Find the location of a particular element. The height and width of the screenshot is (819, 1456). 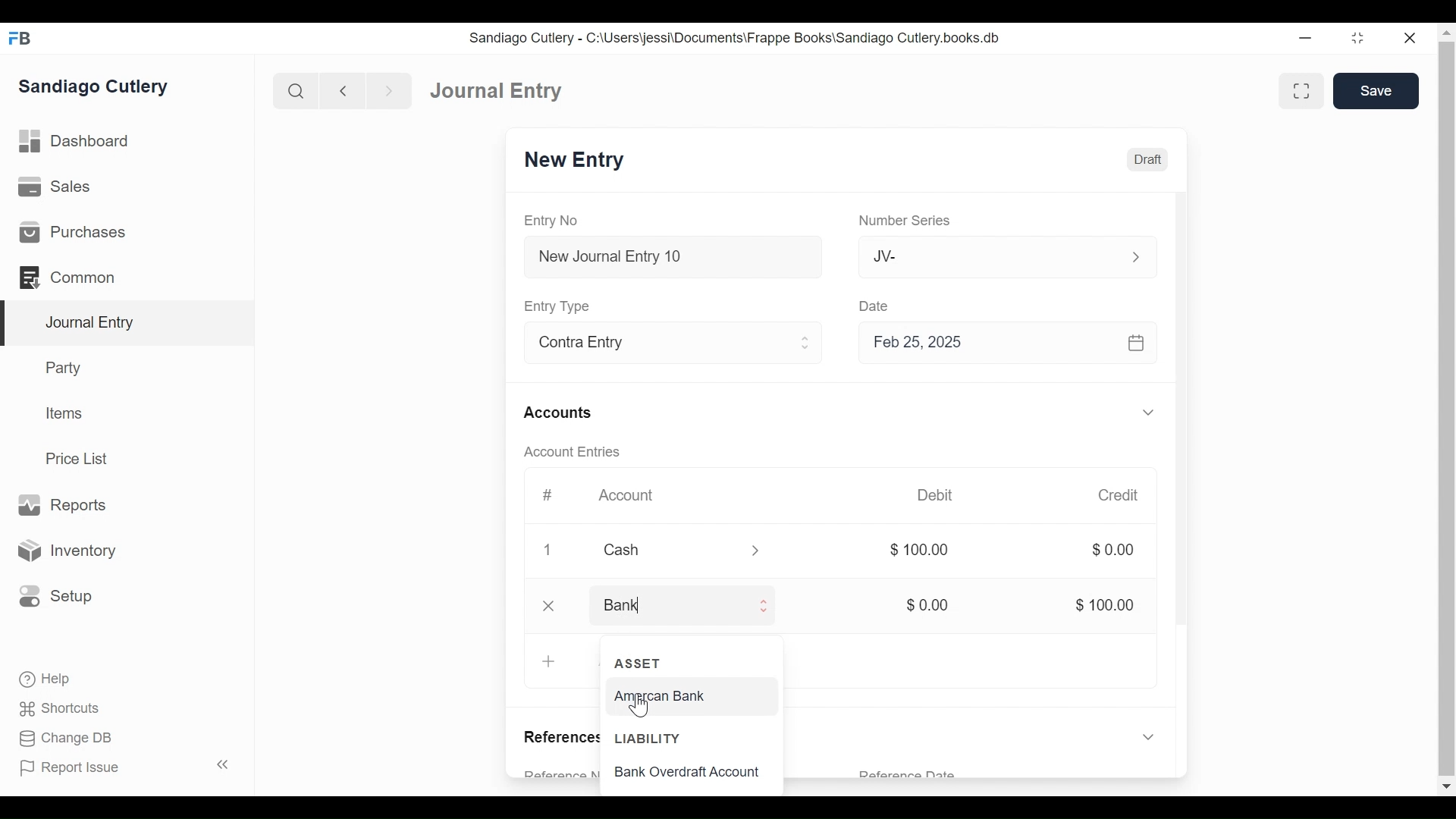

Shortcuts is located at coordinates (55, 708).